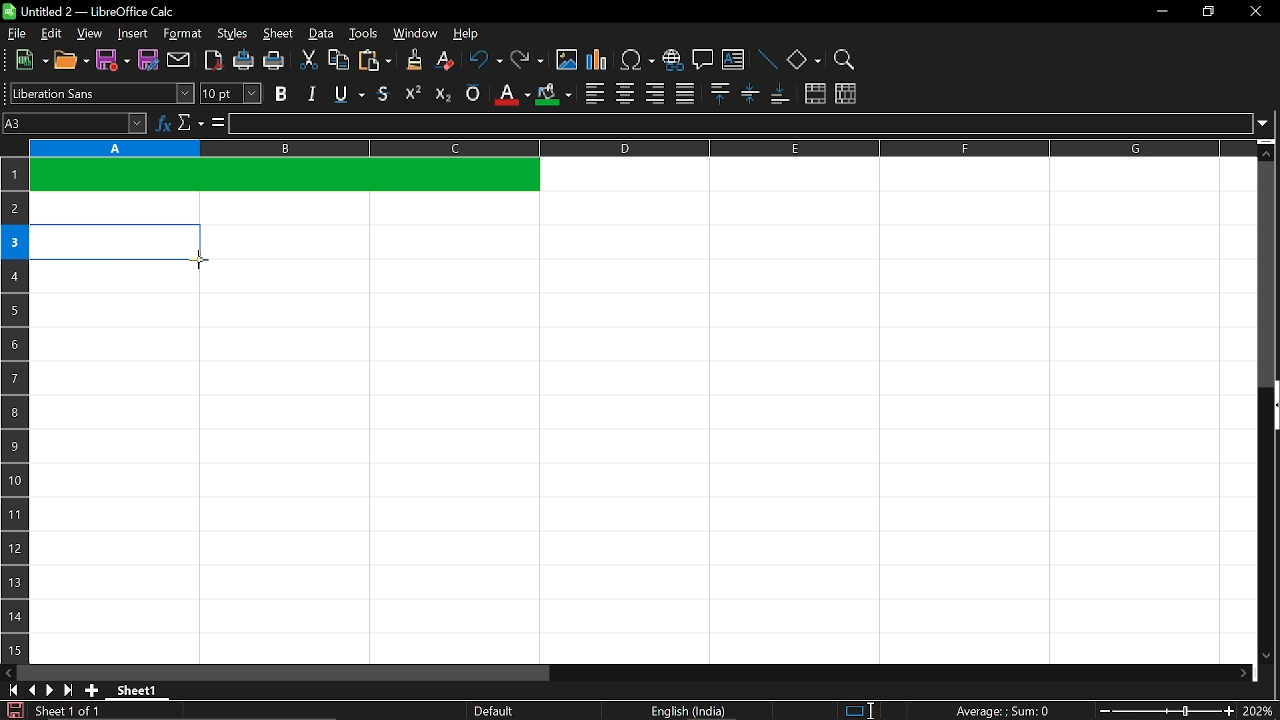 The width and height of the screenshot is (1280, 720). What do you see at coordinates (137, 690) in the screenshot?
I see `Sheet 1` at bounding box center [137, 690].